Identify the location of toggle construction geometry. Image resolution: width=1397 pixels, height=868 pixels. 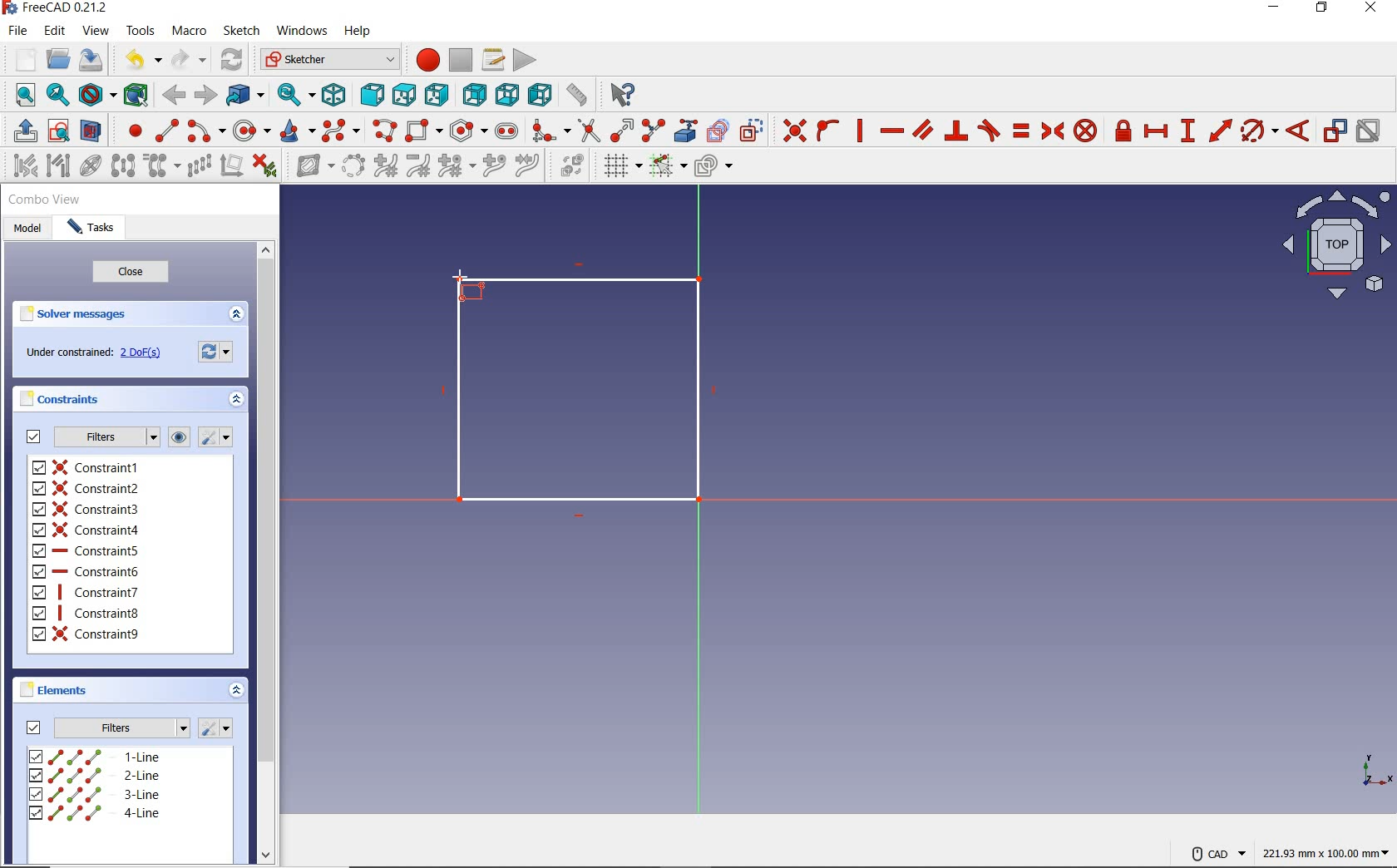
(753, 131).